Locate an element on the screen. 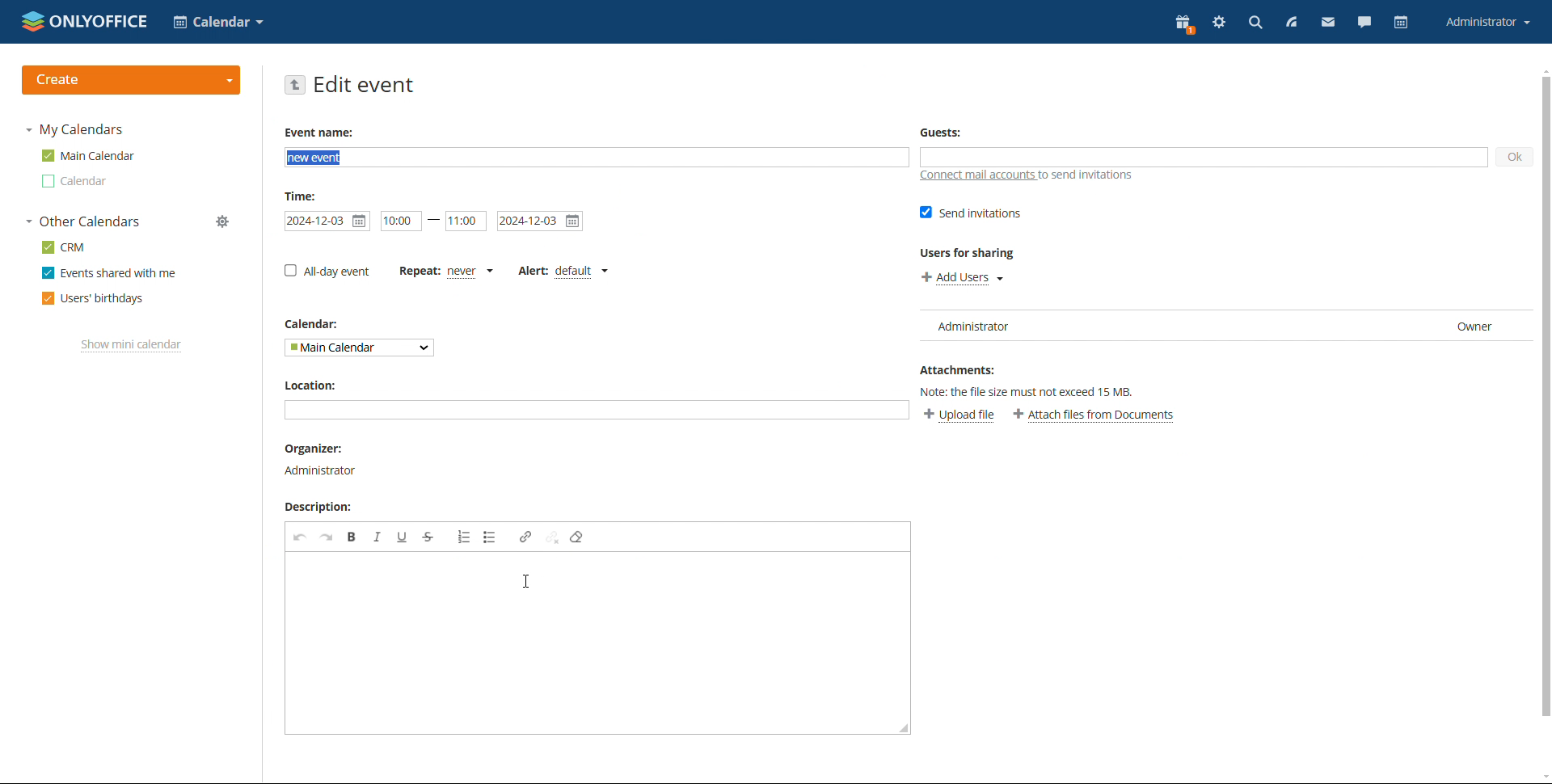 The height and width of the screenshot is (784, 1552). resize is located at coordinates (903, 727).